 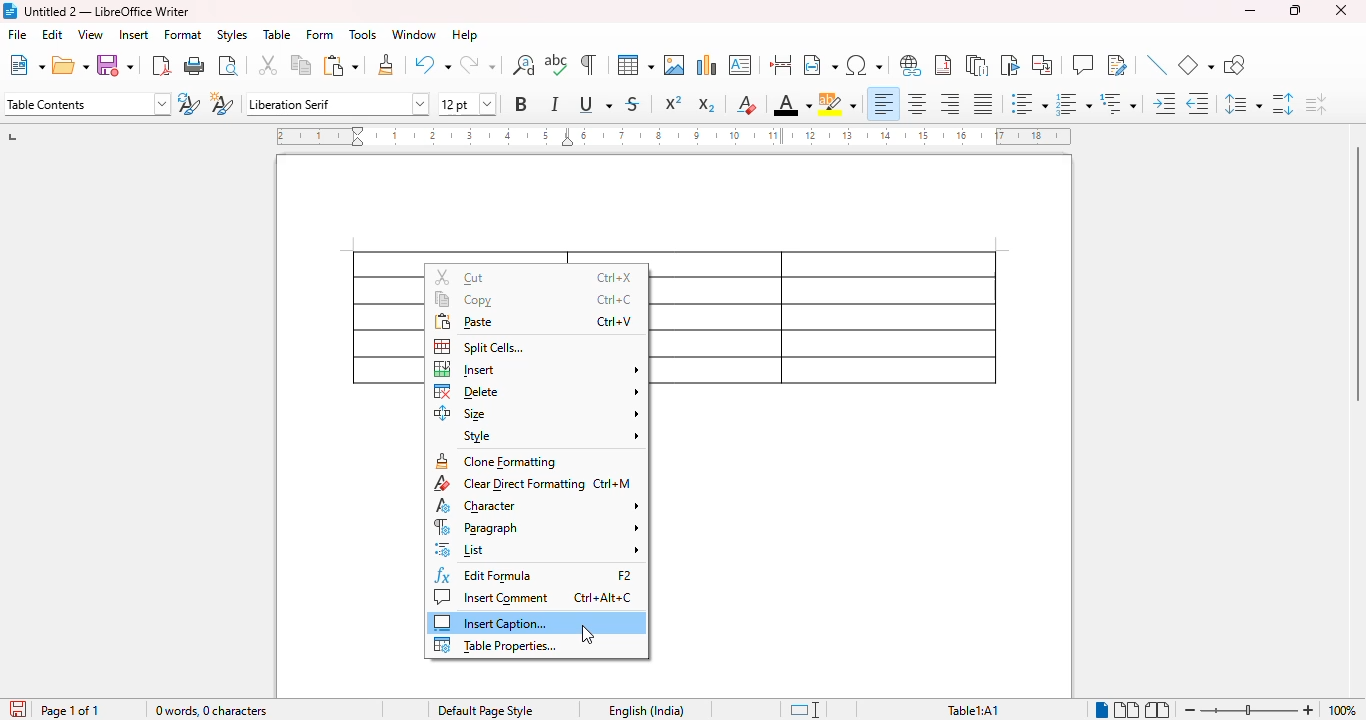 I want to click on help, so click(x=465, y=34).